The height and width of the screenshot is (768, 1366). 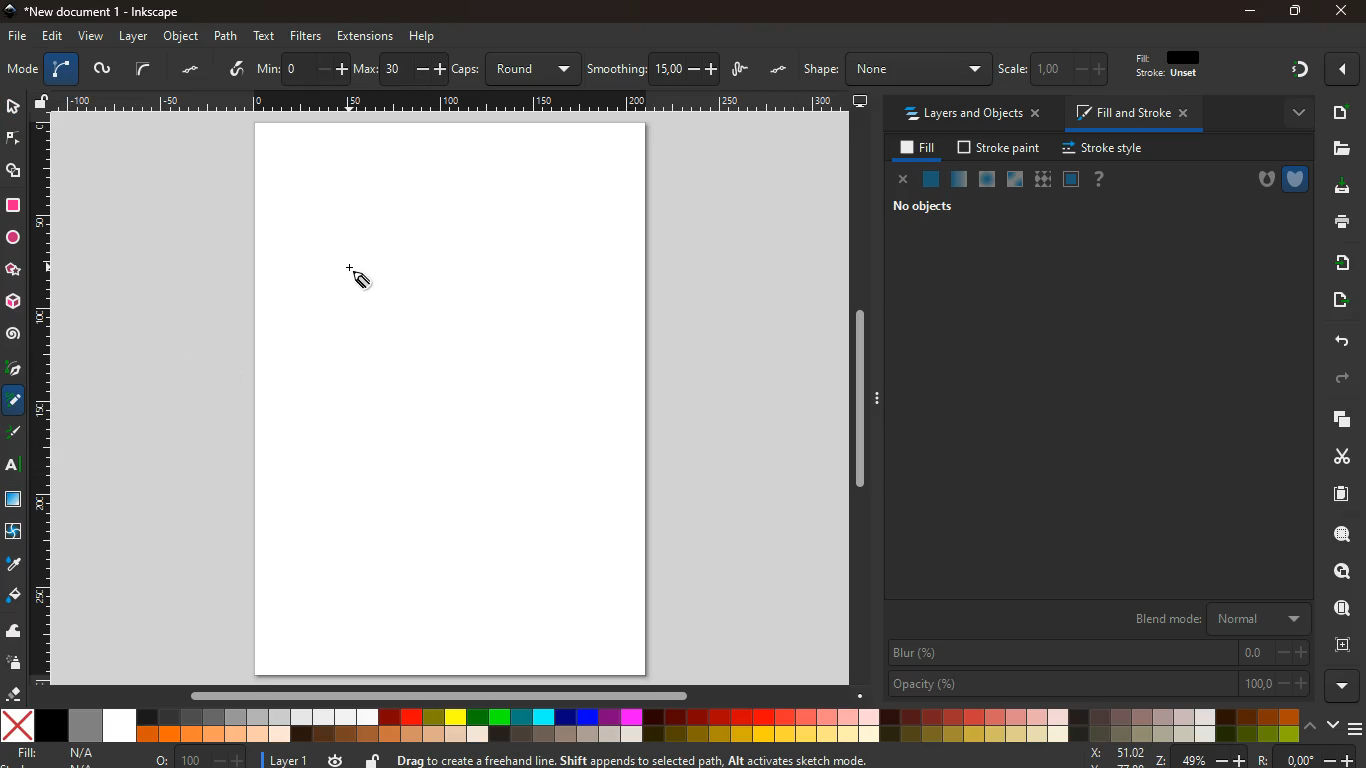 I want to click on send, so click(x=1343, y=302).